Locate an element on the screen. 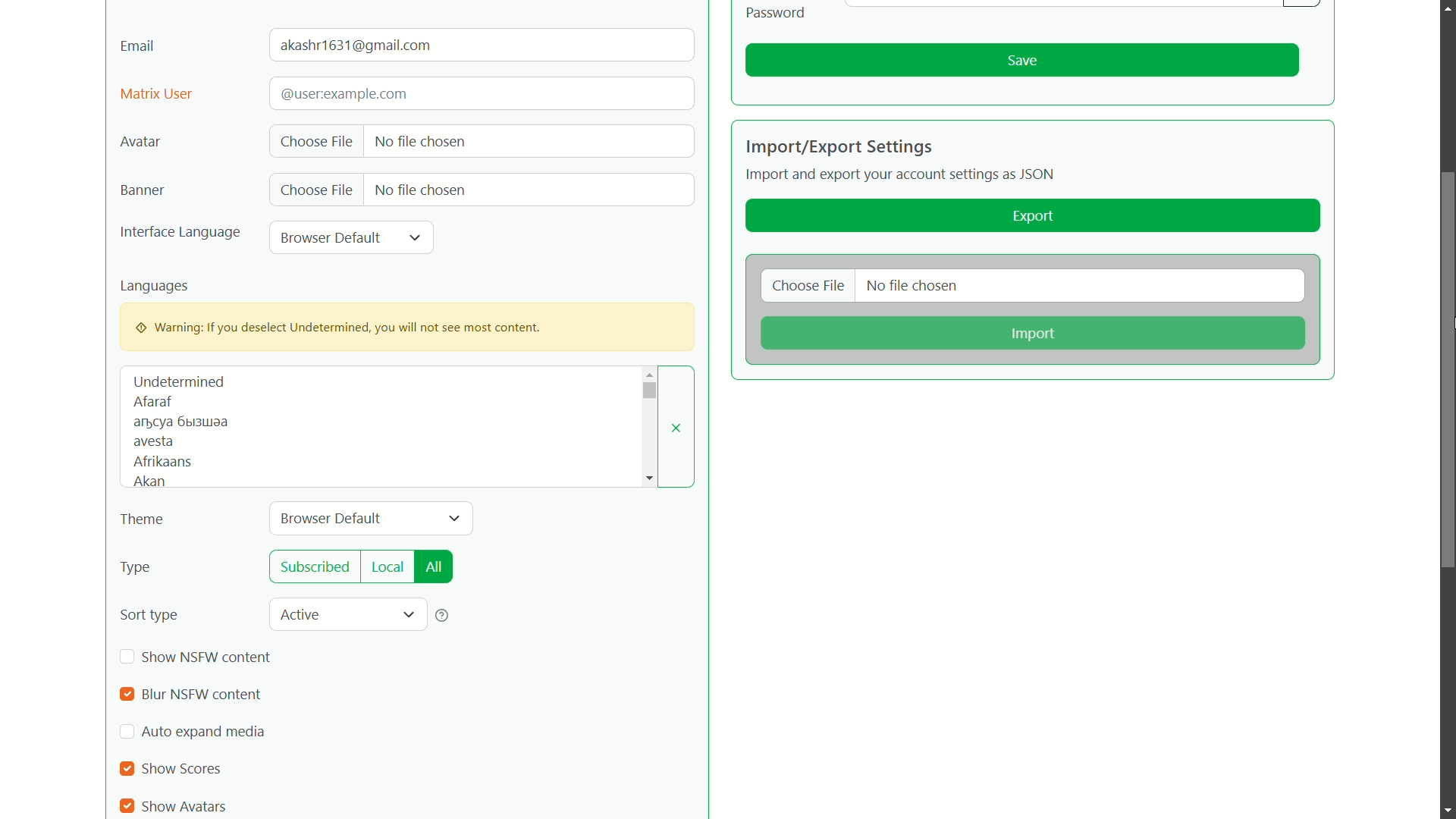 This screenshot has height=819, width=1456. theme is located at coordinates (143, 520).